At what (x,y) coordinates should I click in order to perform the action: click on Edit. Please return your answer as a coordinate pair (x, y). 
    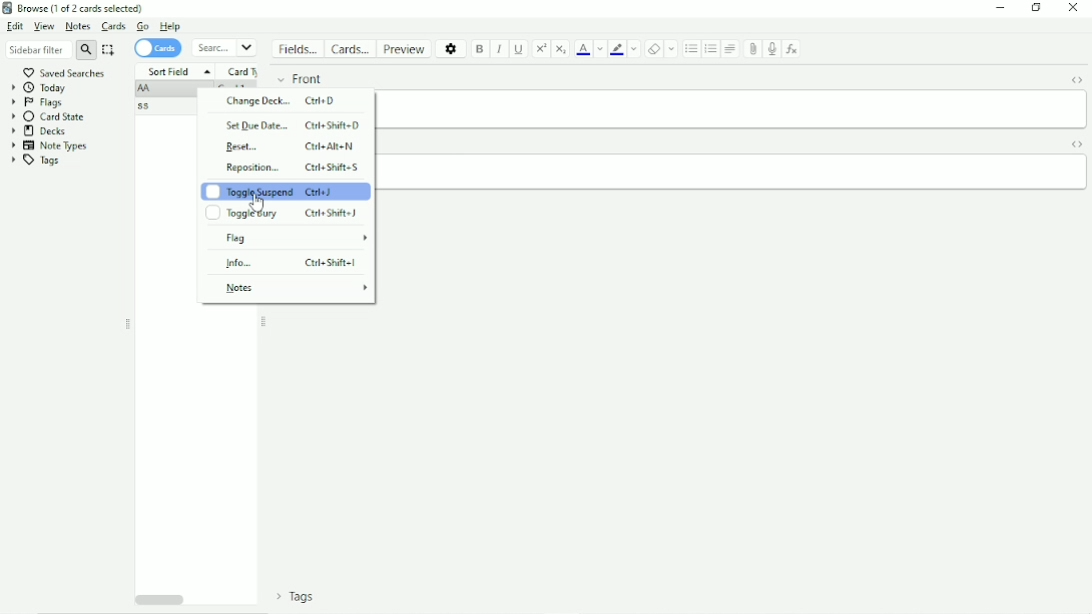
    Looking at the image, I should click on (14, 27).